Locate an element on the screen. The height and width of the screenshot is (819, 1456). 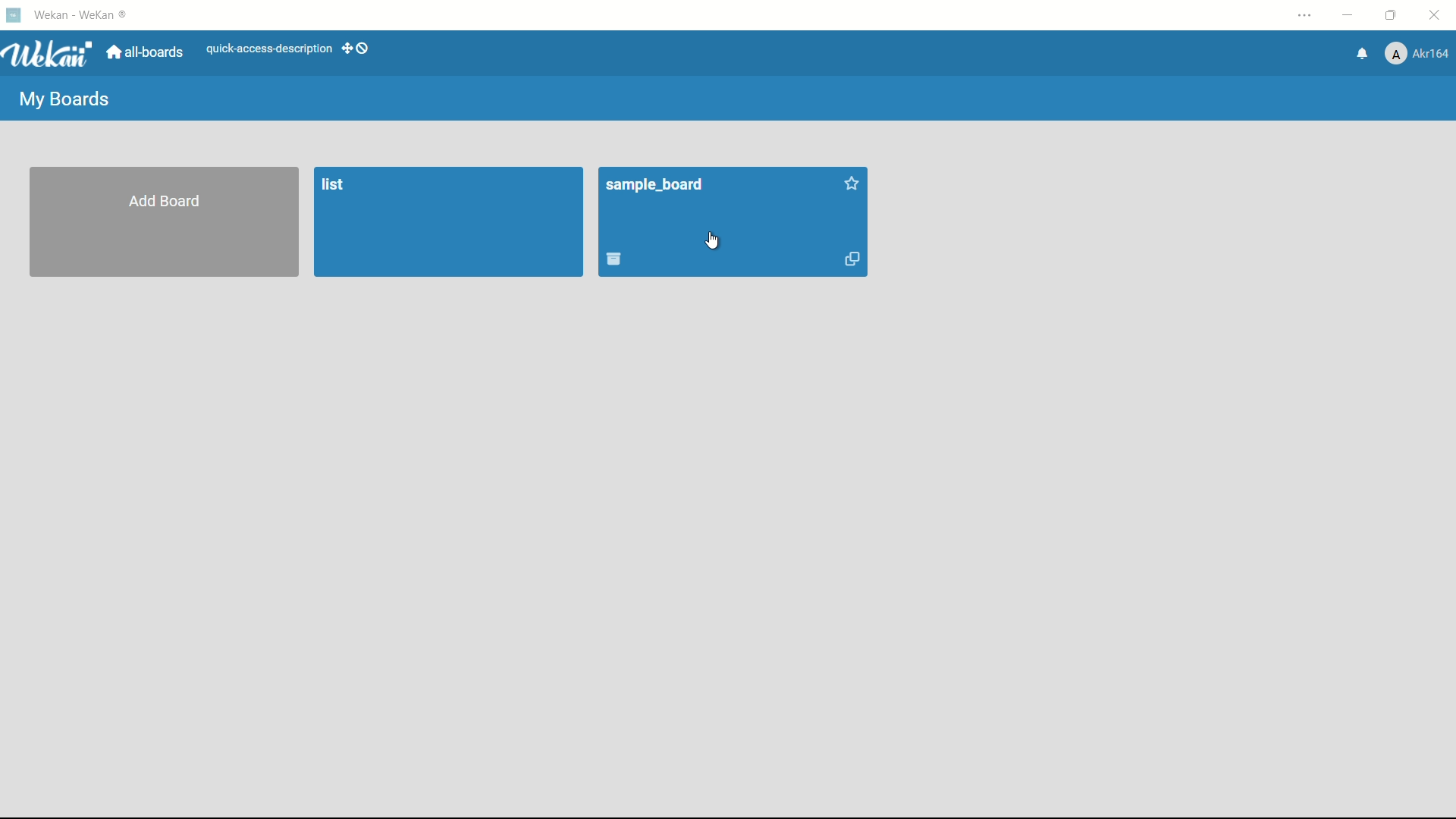
my boards is located at coordinates (65, 100).